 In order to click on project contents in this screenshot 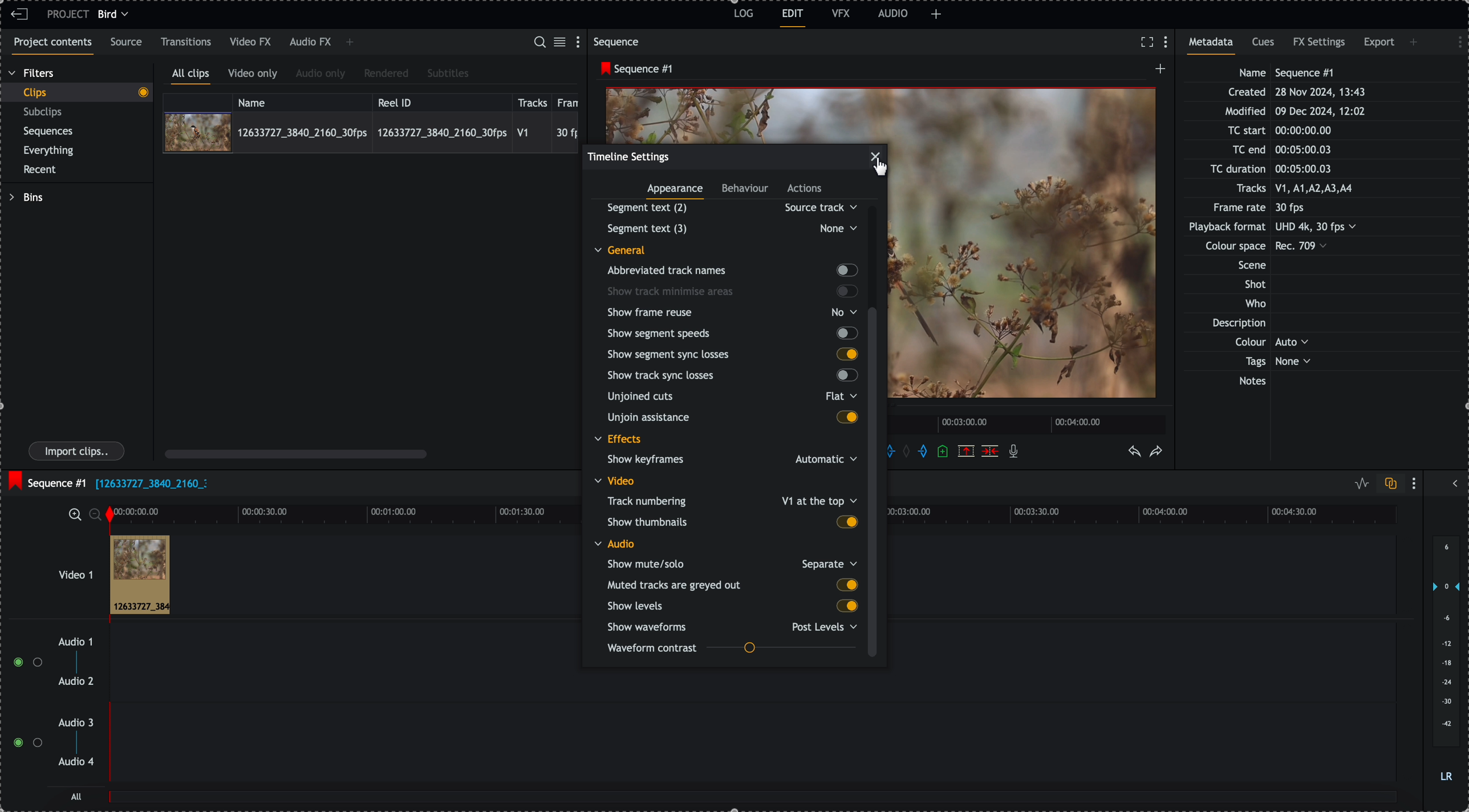, I will do `click(50, 46)`.